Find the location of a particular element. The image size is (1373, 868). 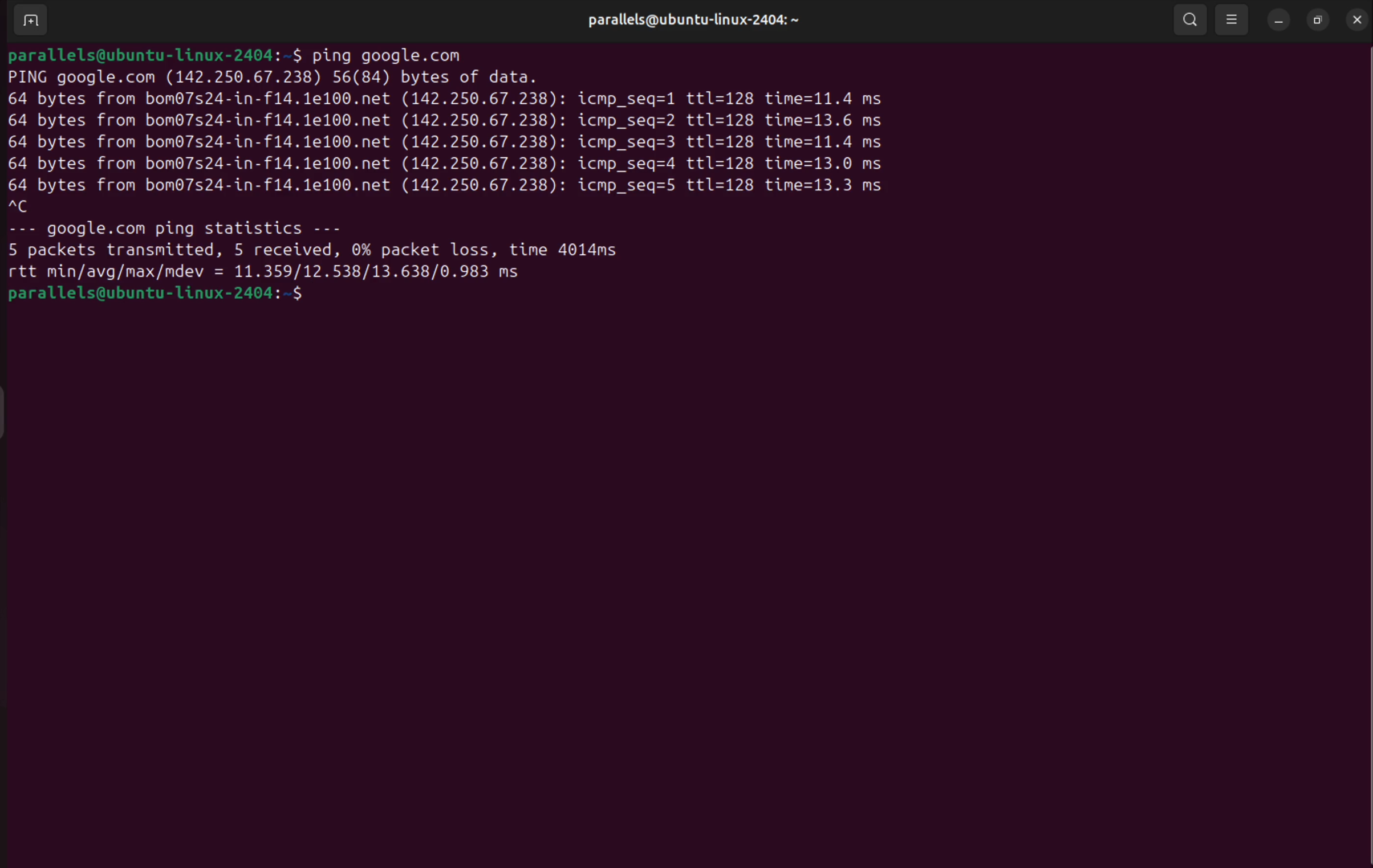

ttl 128 is located at coordinates (723, 188).